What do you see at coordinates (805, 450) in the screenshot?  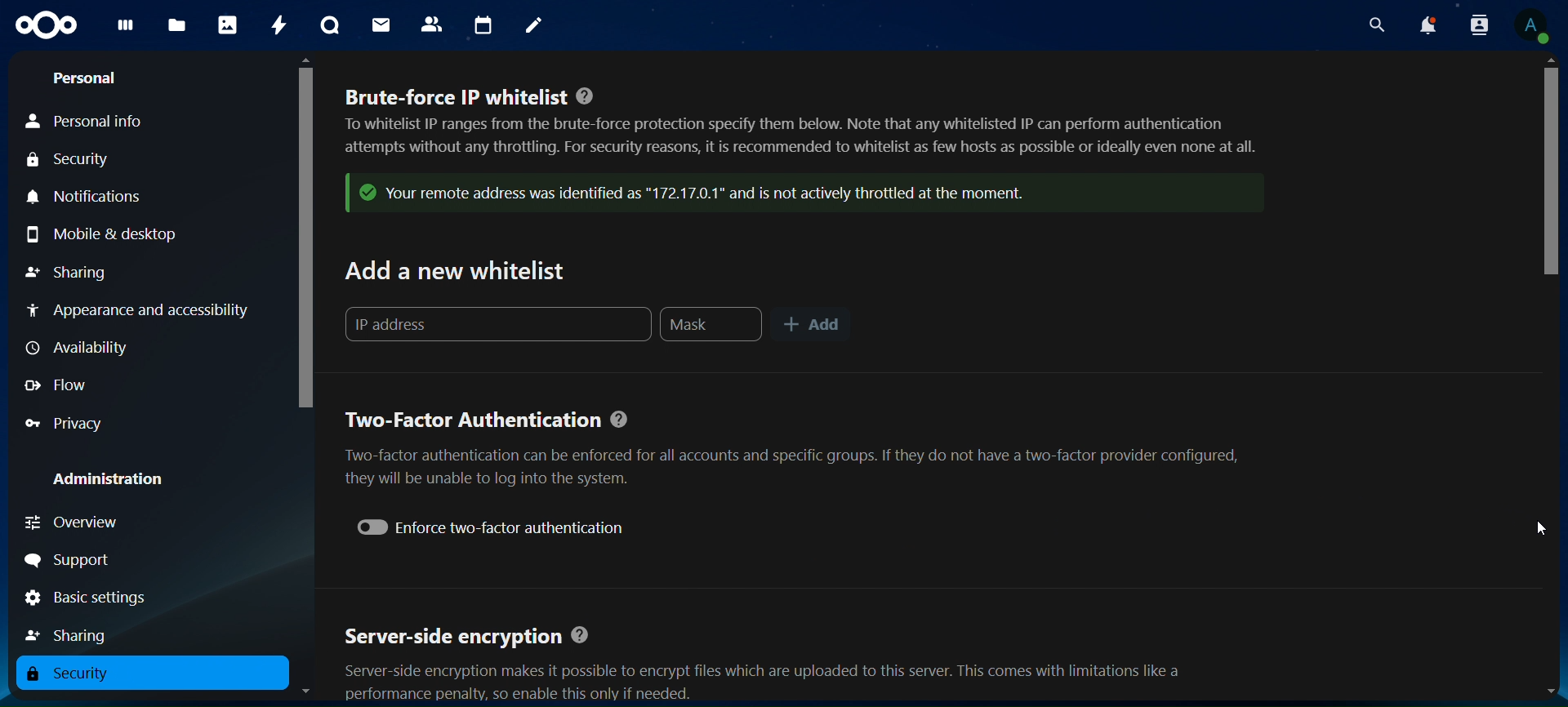 I see `two factor authentication` at bounding box center [805, 450].